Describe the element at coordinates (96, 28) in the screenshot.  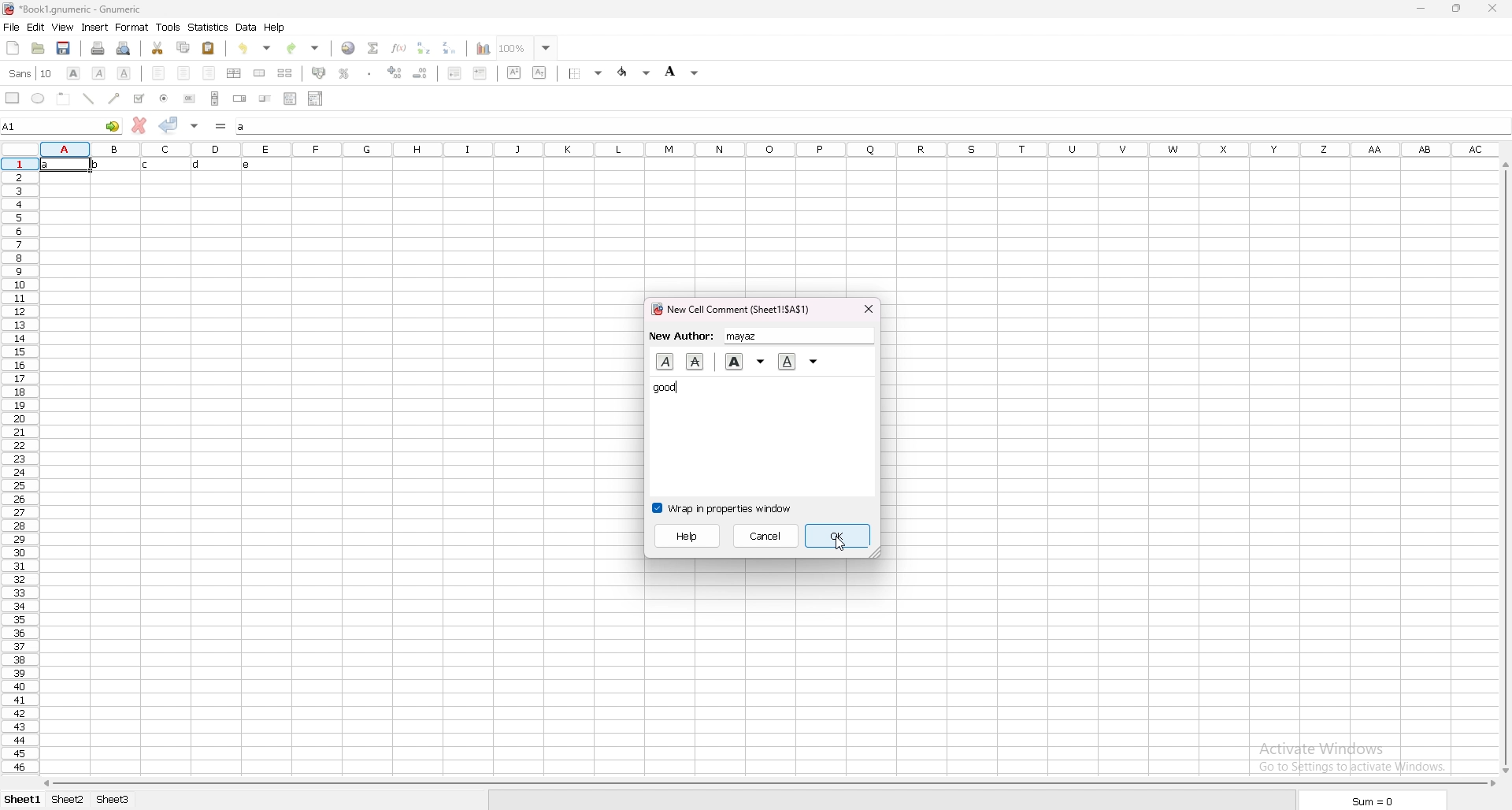
I see `insert` at that location.